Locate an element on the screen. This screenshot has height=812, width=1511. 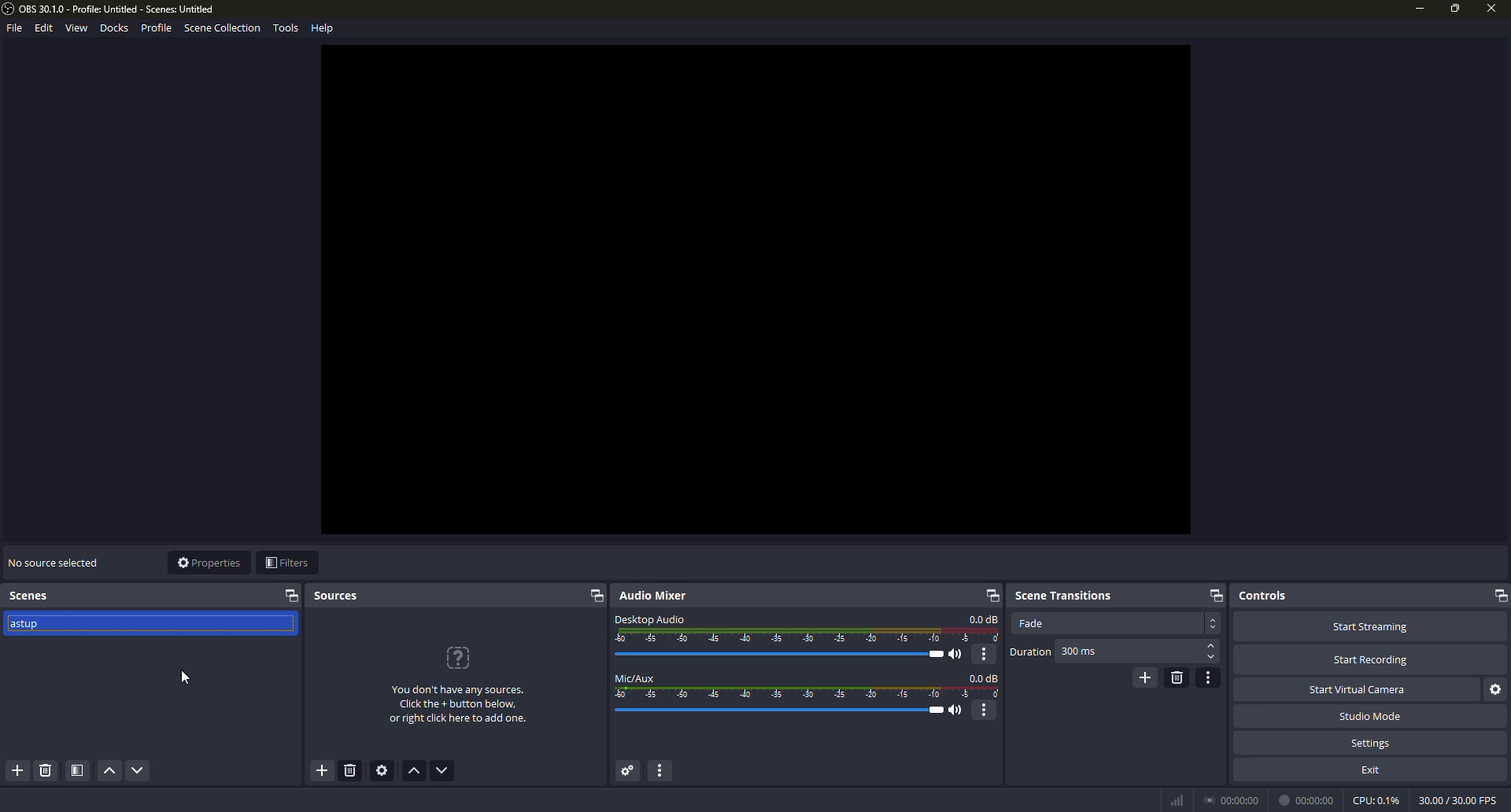
time is located at coordinates (1234, 799).